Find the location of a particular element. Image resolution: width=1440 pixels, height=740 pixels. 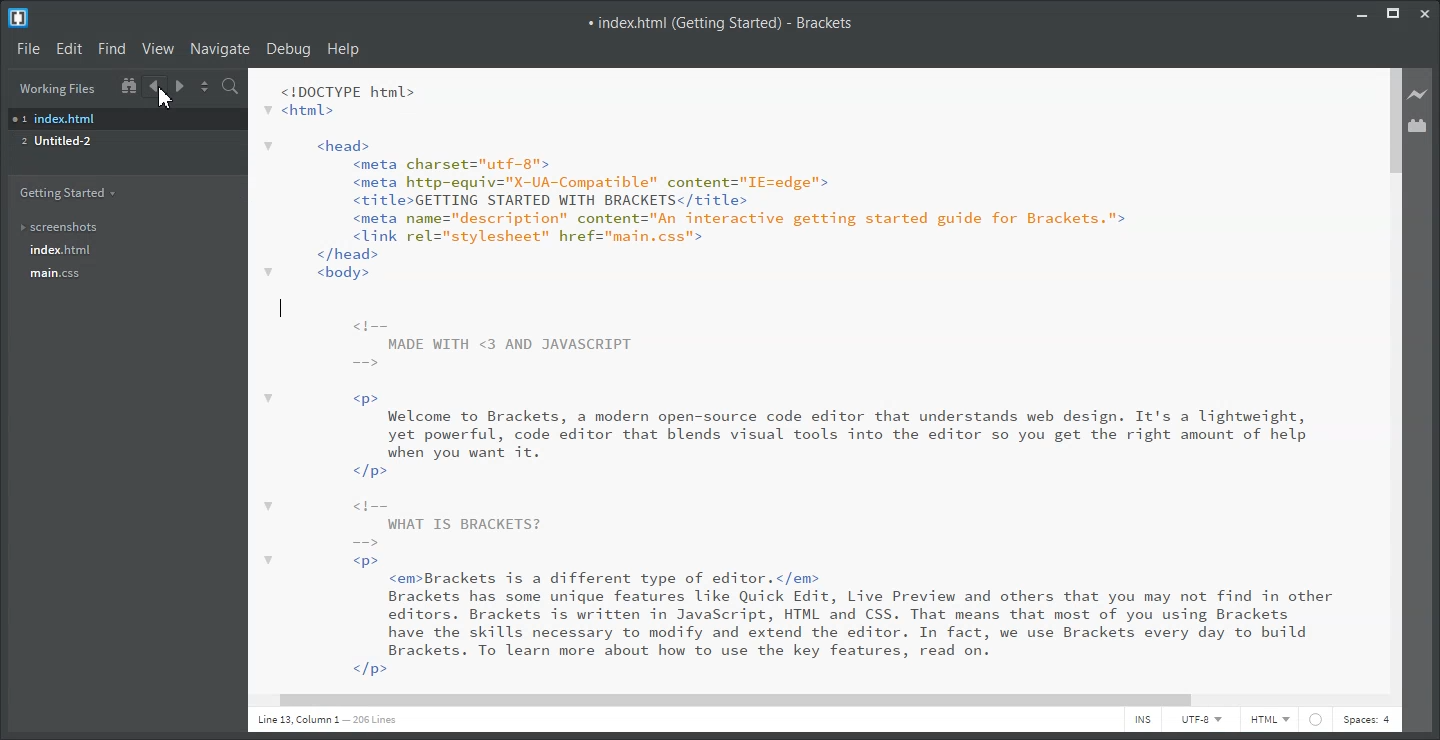

main.css is located at coordinates (51, 274).